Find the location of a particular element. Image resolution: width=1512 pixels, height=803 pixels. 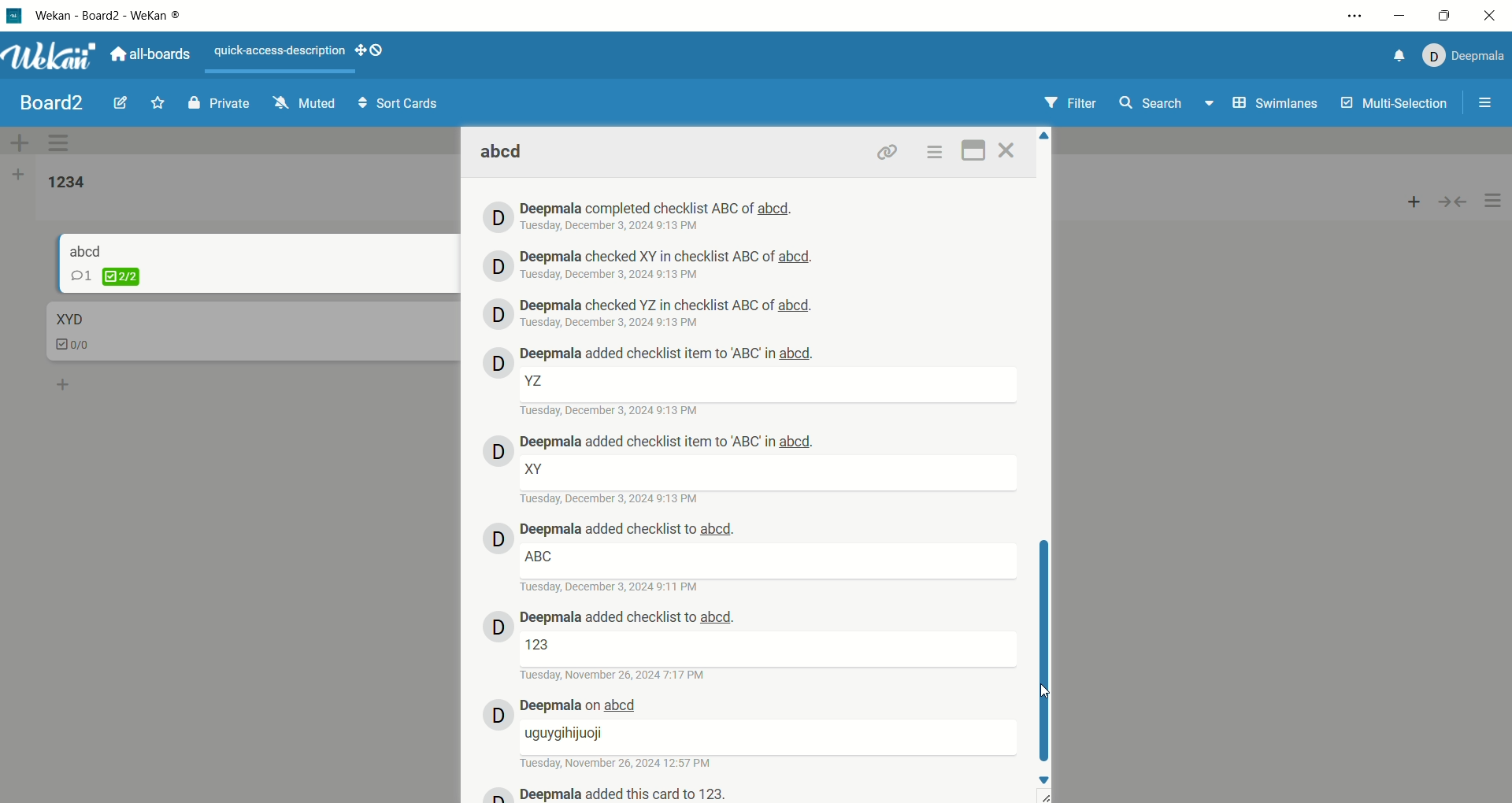

add is located at coordinates (65, 382).